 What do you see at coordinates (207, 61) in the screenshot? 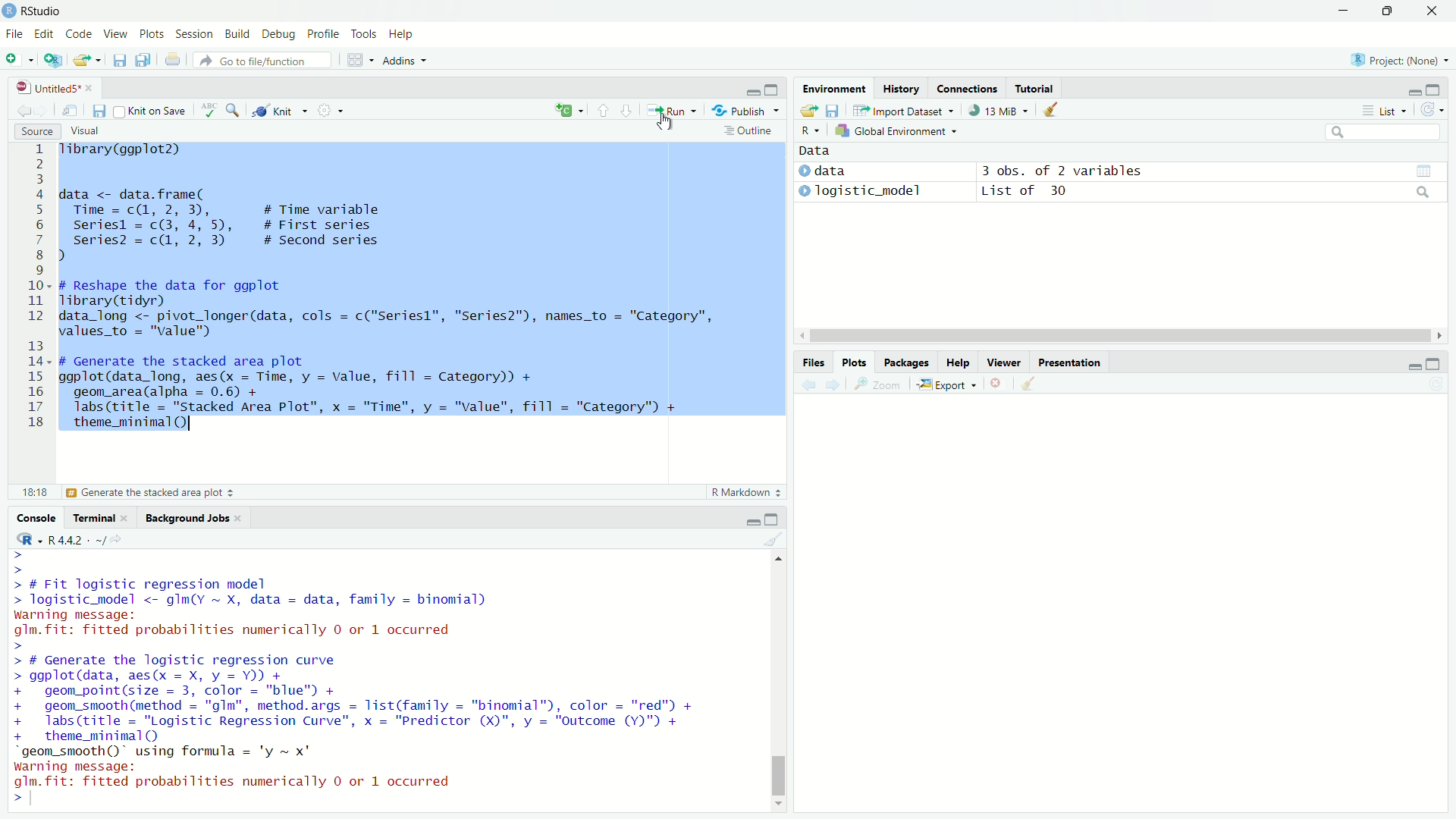
I see `redo` at bounding box center [207, 61].